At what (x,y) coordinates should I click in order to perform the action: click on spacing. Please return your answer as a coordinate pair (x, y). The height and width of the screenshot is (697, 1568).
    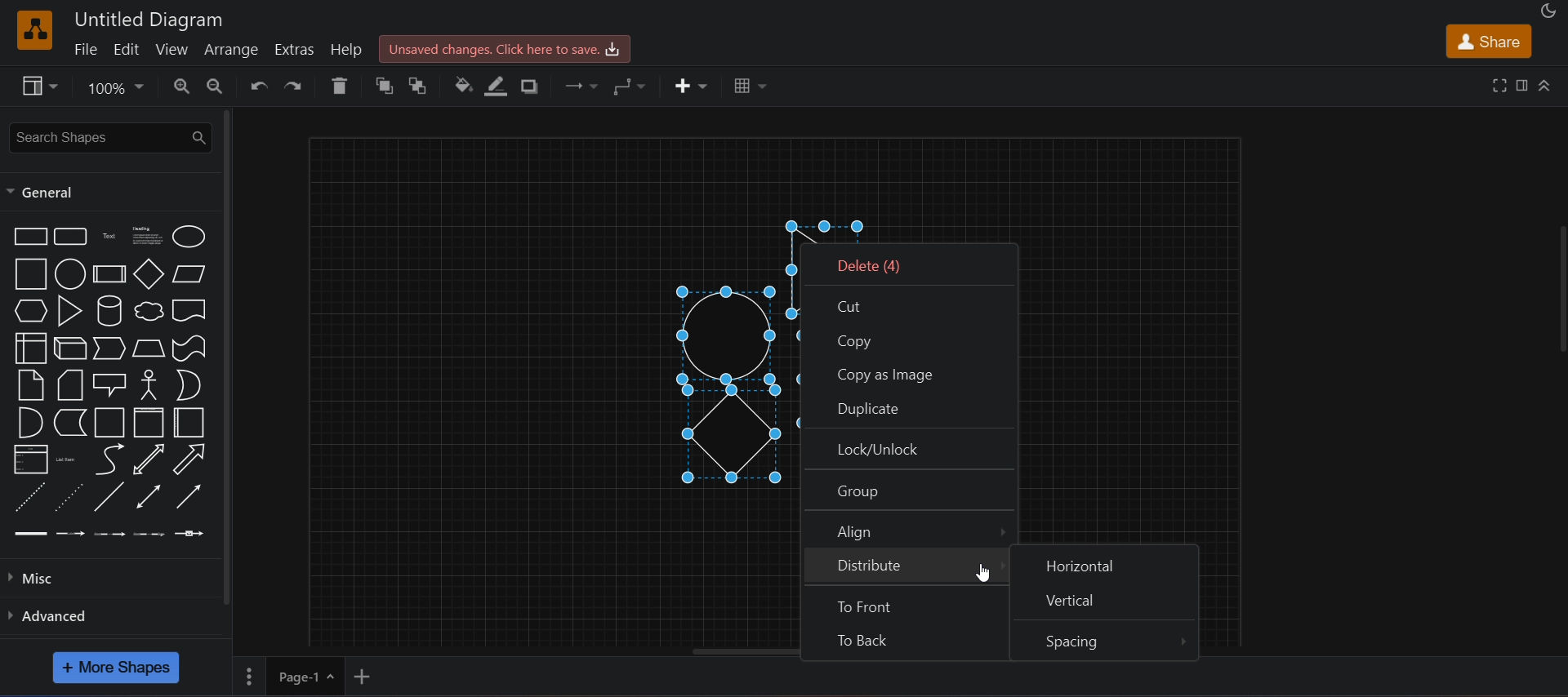
    Looking at the image, I should click on (1104, 641).